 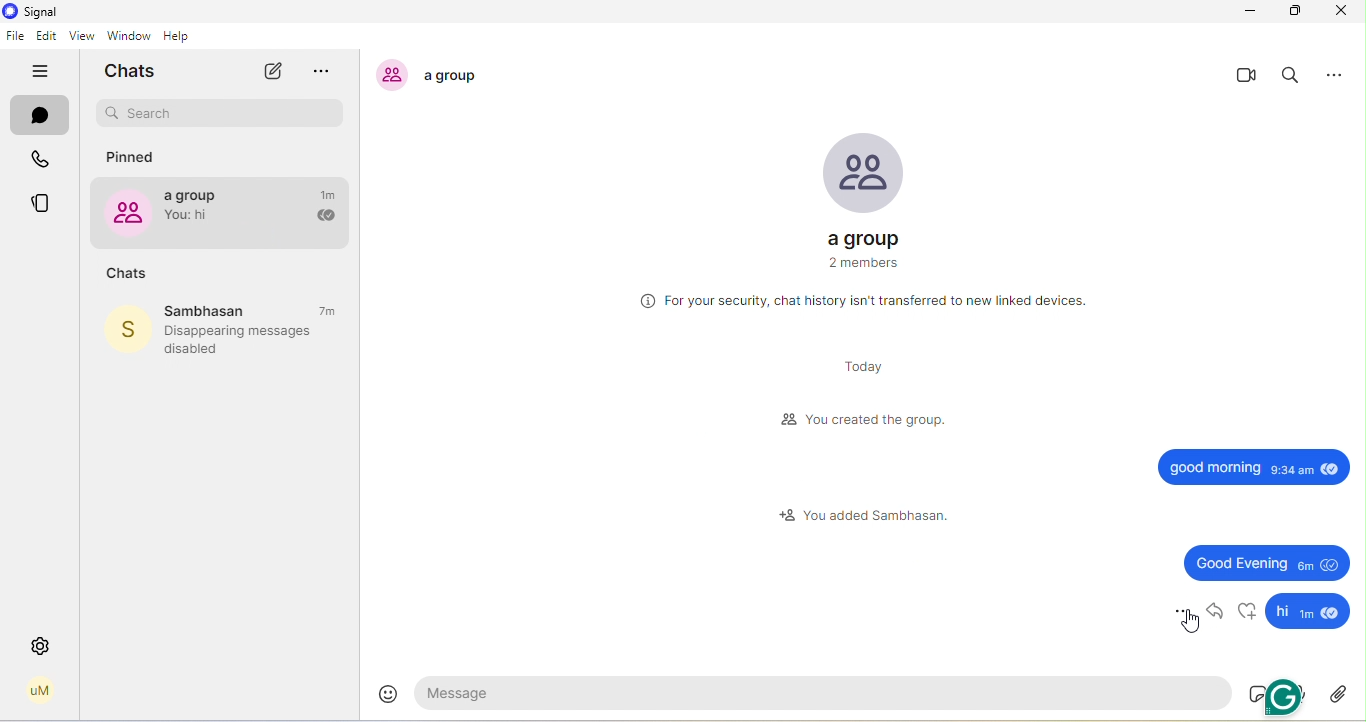 I want to click on 1m, so click(x=330, y=194).